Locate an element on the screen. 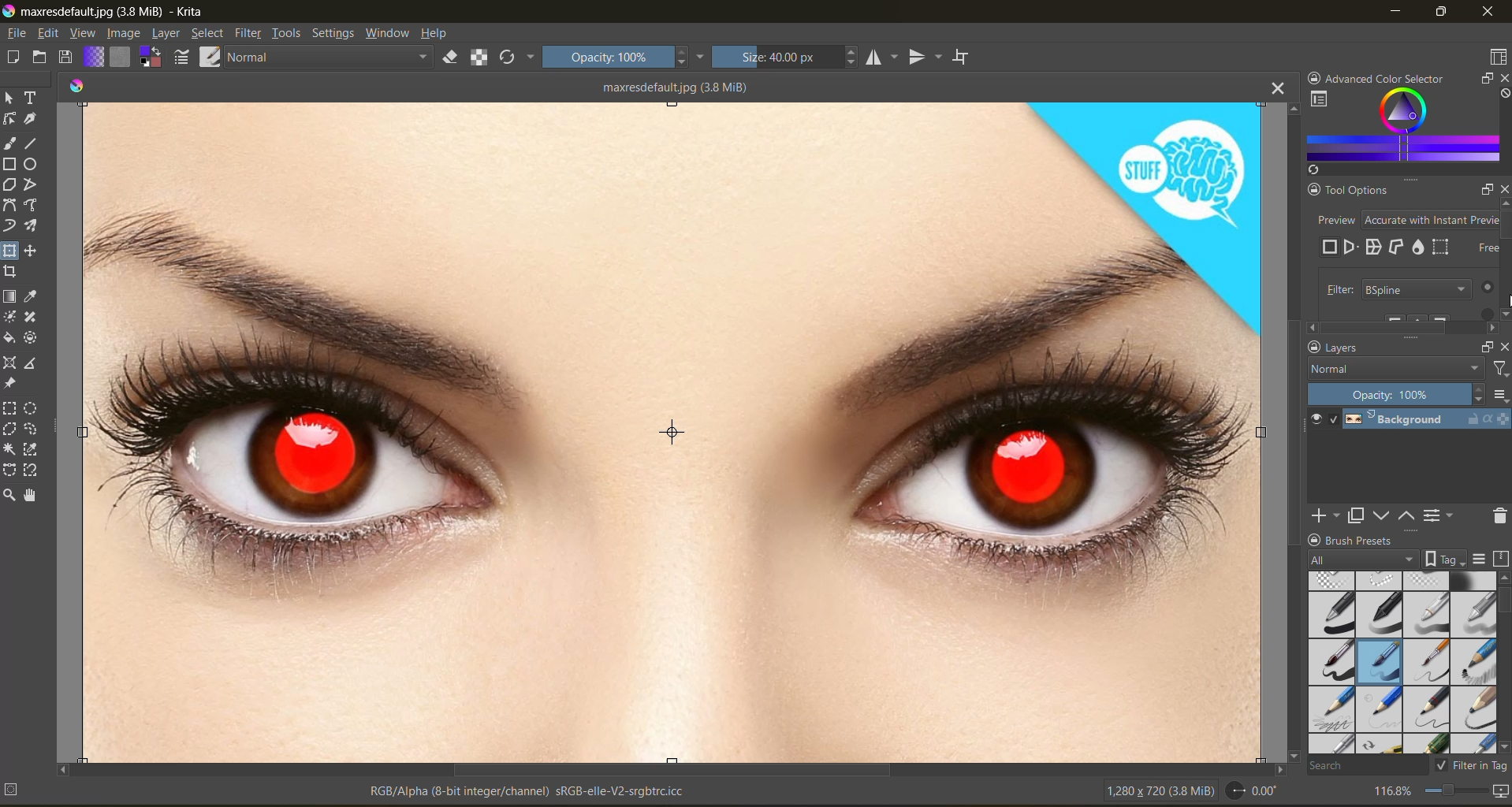 Image resolution: width=1512 pixels, height=807 pixels. tool is located at coordinates (12, 364).